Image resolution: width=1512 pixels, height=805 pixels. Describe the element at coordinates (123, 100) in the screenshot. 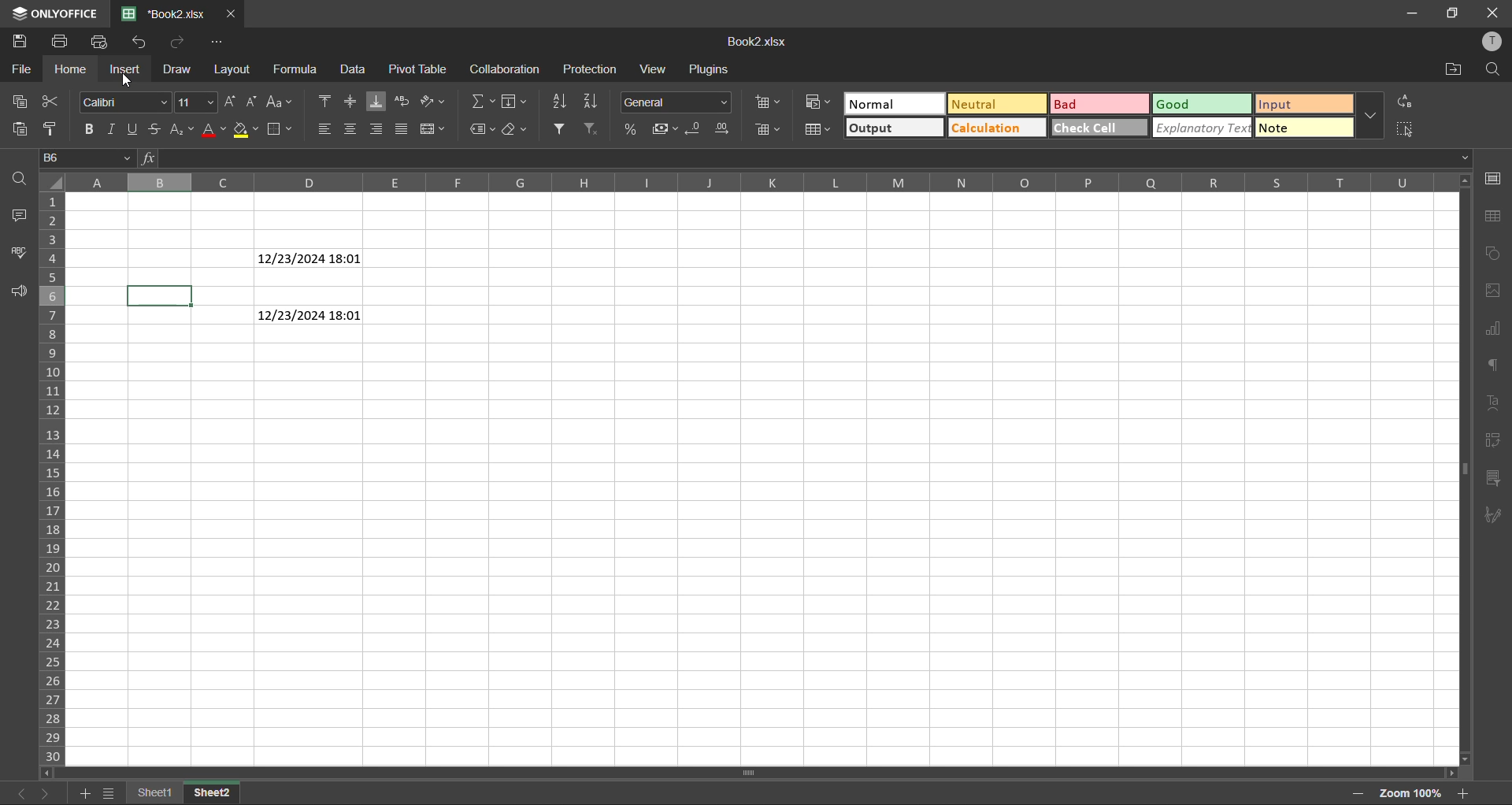

I see `font style` at that location.